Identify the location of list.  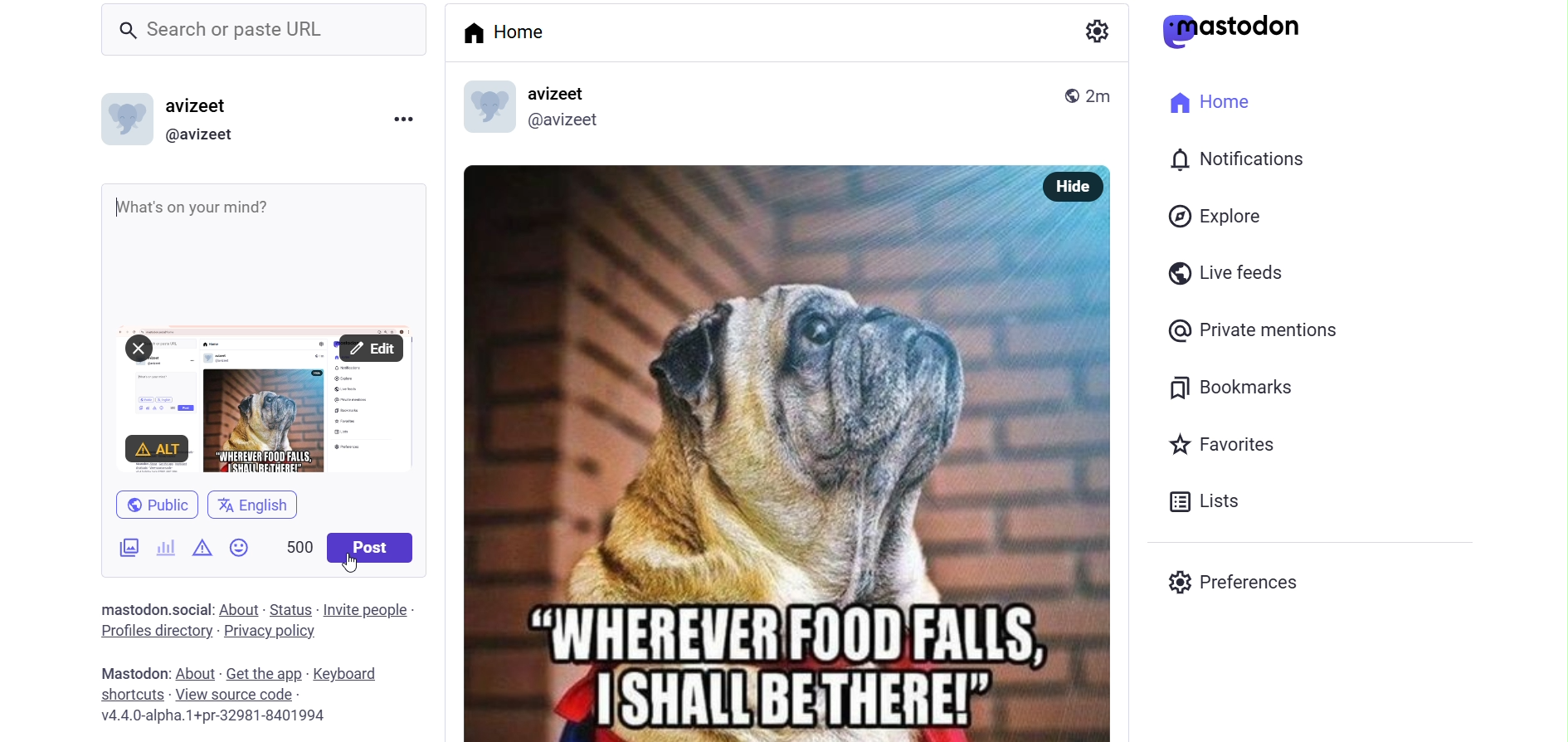
(1214, 504).